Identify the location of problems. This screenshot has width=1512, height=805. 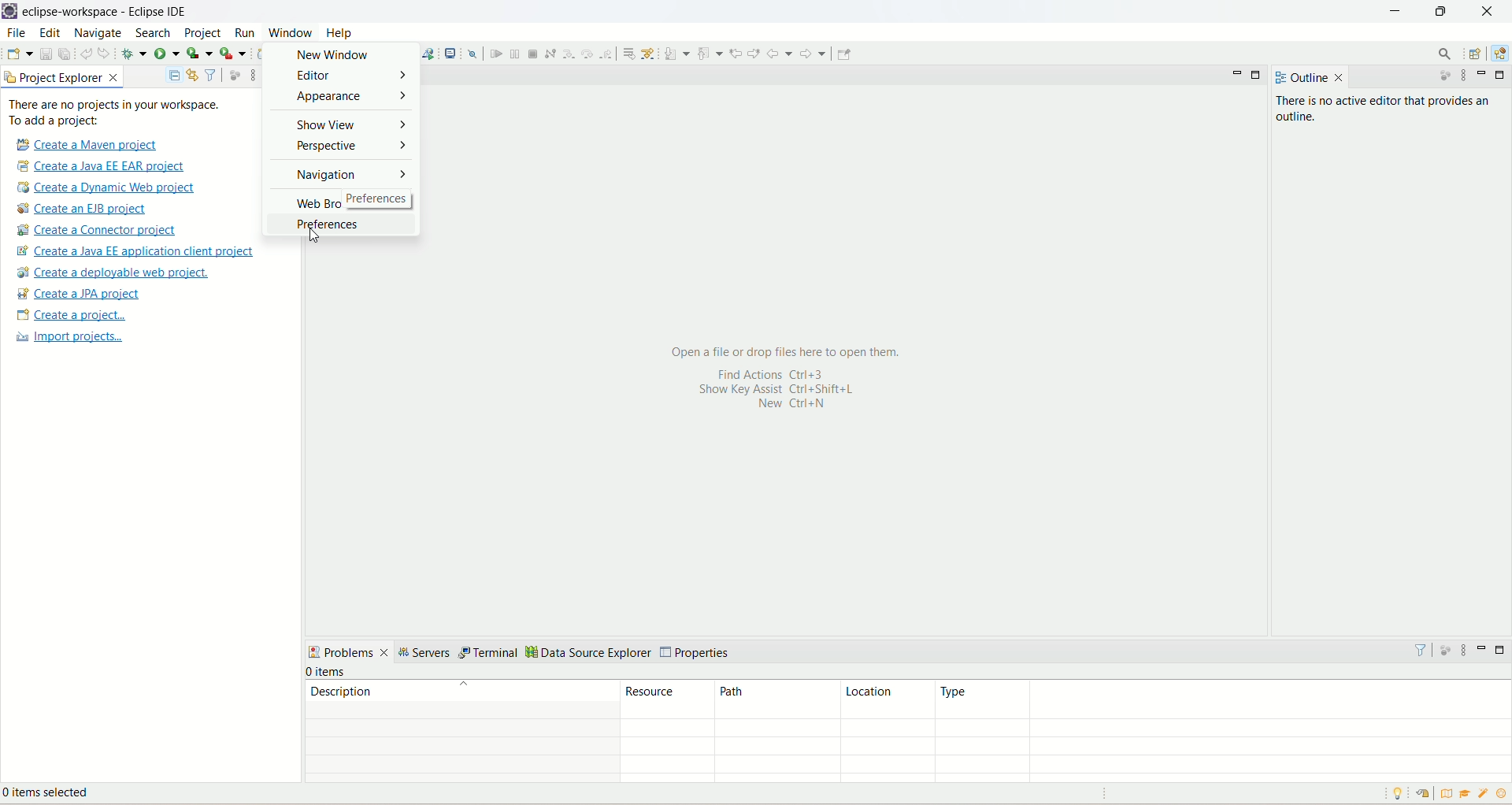
(349, 651).